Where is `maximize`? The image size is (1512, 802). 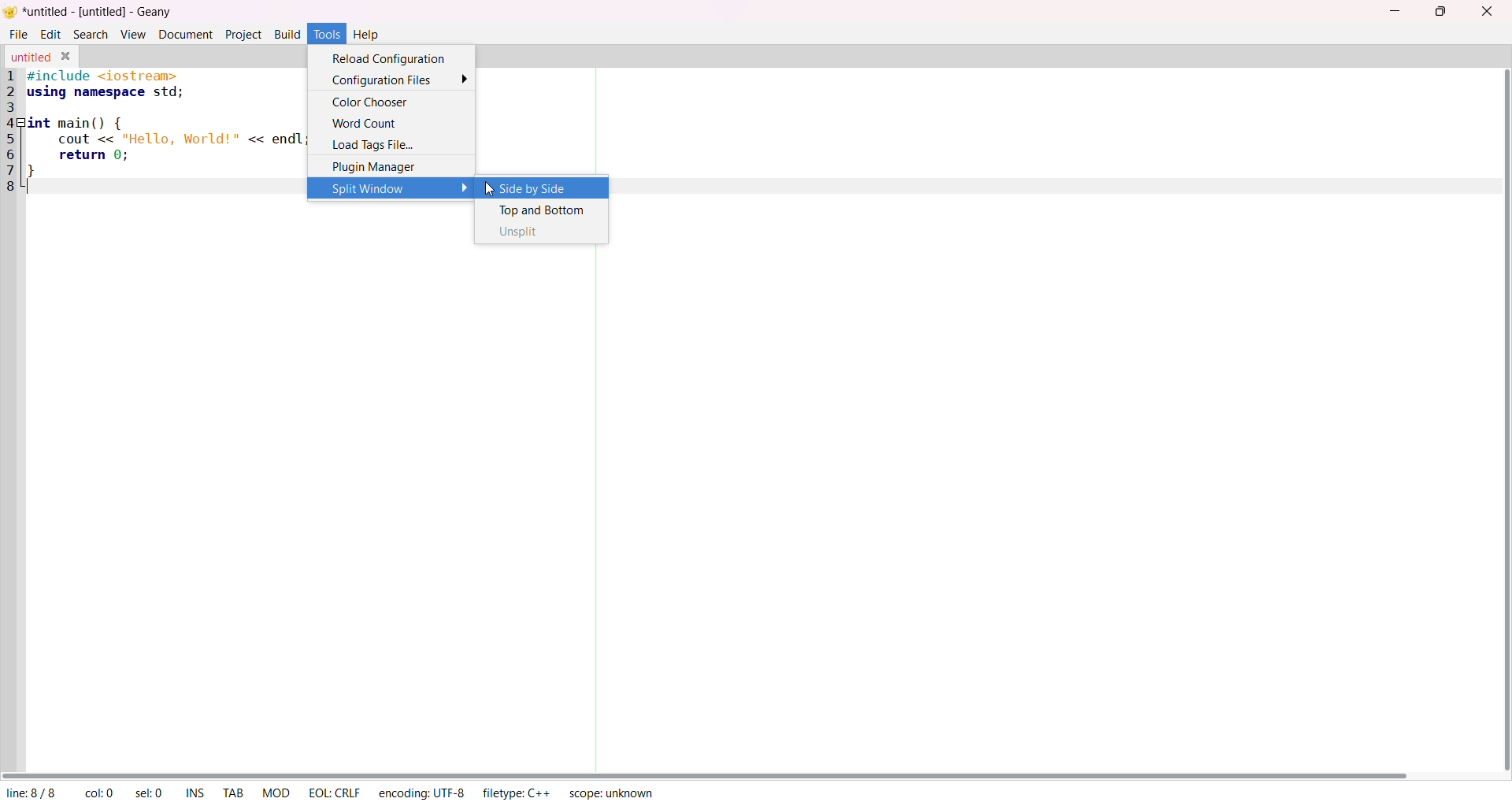
maximize is located at coordinates (1443, 13).